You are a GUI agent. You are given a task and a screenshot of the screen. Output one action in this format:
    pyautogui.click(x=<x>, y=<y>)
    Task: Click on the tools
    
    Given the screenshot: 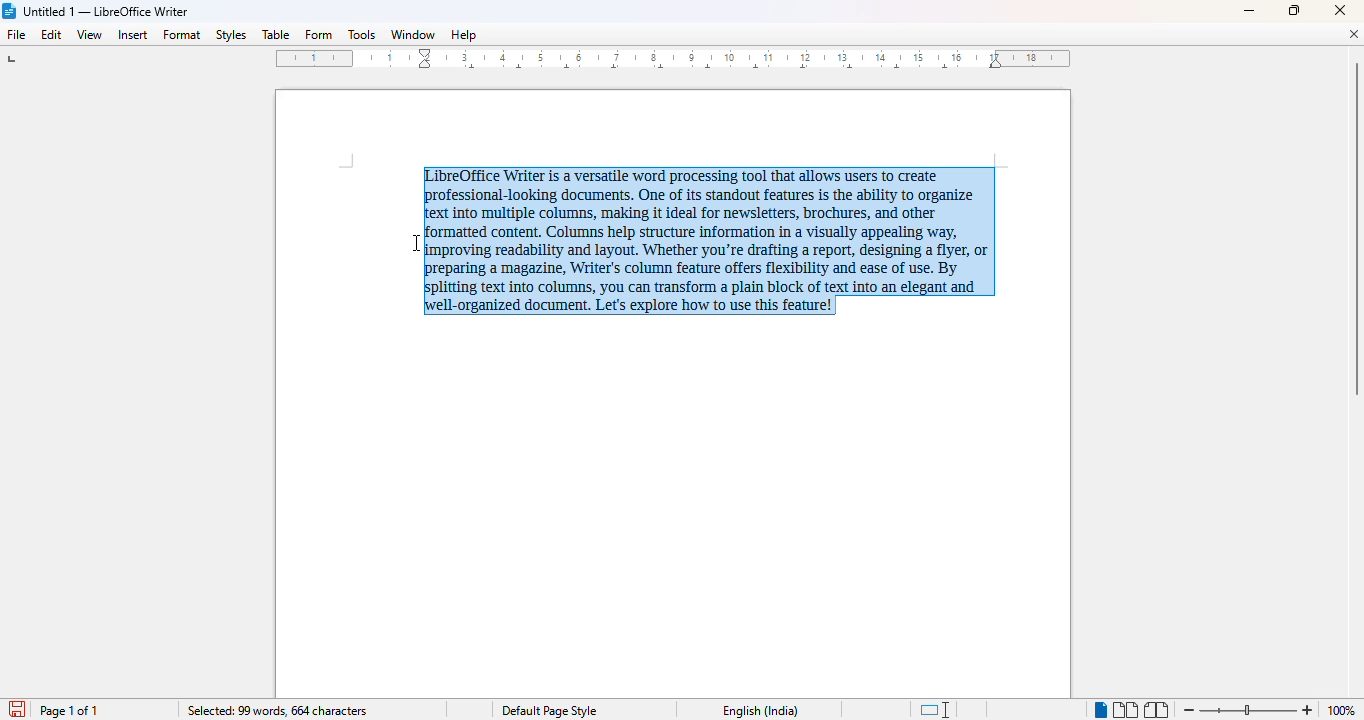 What is the action you would take?
    pyautogui.click(x=361, y=34)
    